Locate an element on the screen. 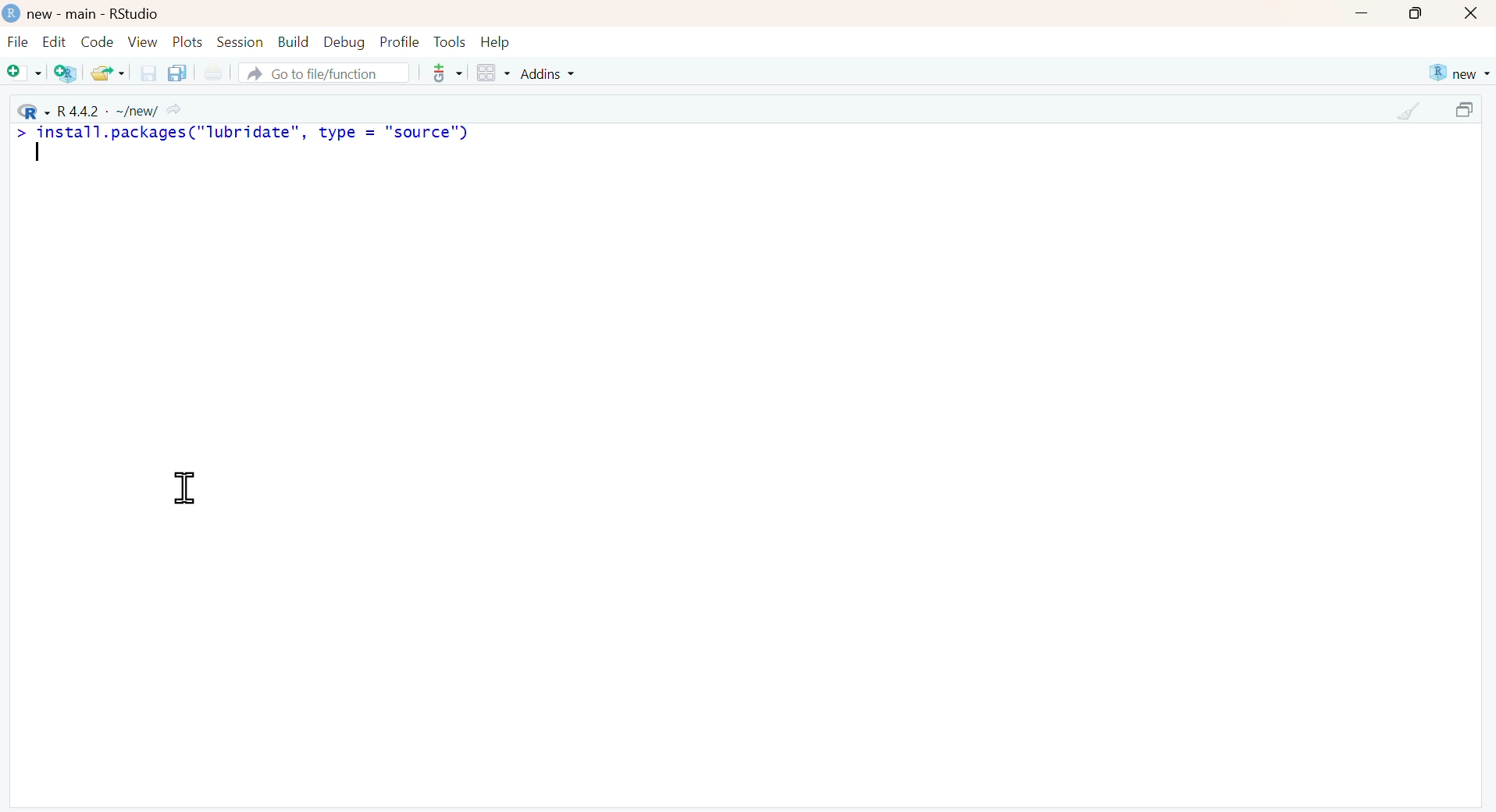 This screenshot has width=1496, height=812. Create a project is located at coordinates (67, 73).